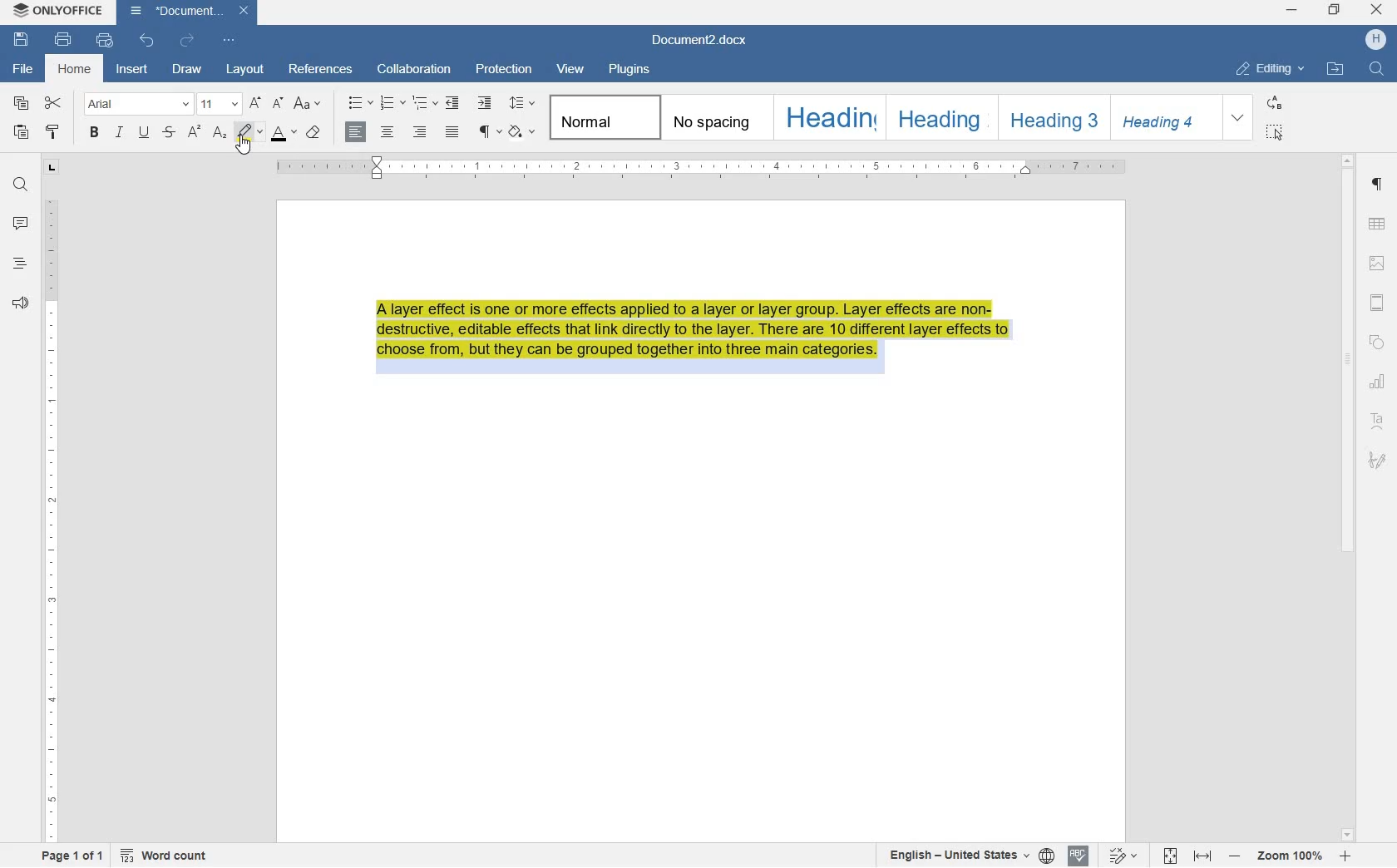 This screenshot has width=1397, height=868. I want to click on UNDERLINE, so click(144, 133).